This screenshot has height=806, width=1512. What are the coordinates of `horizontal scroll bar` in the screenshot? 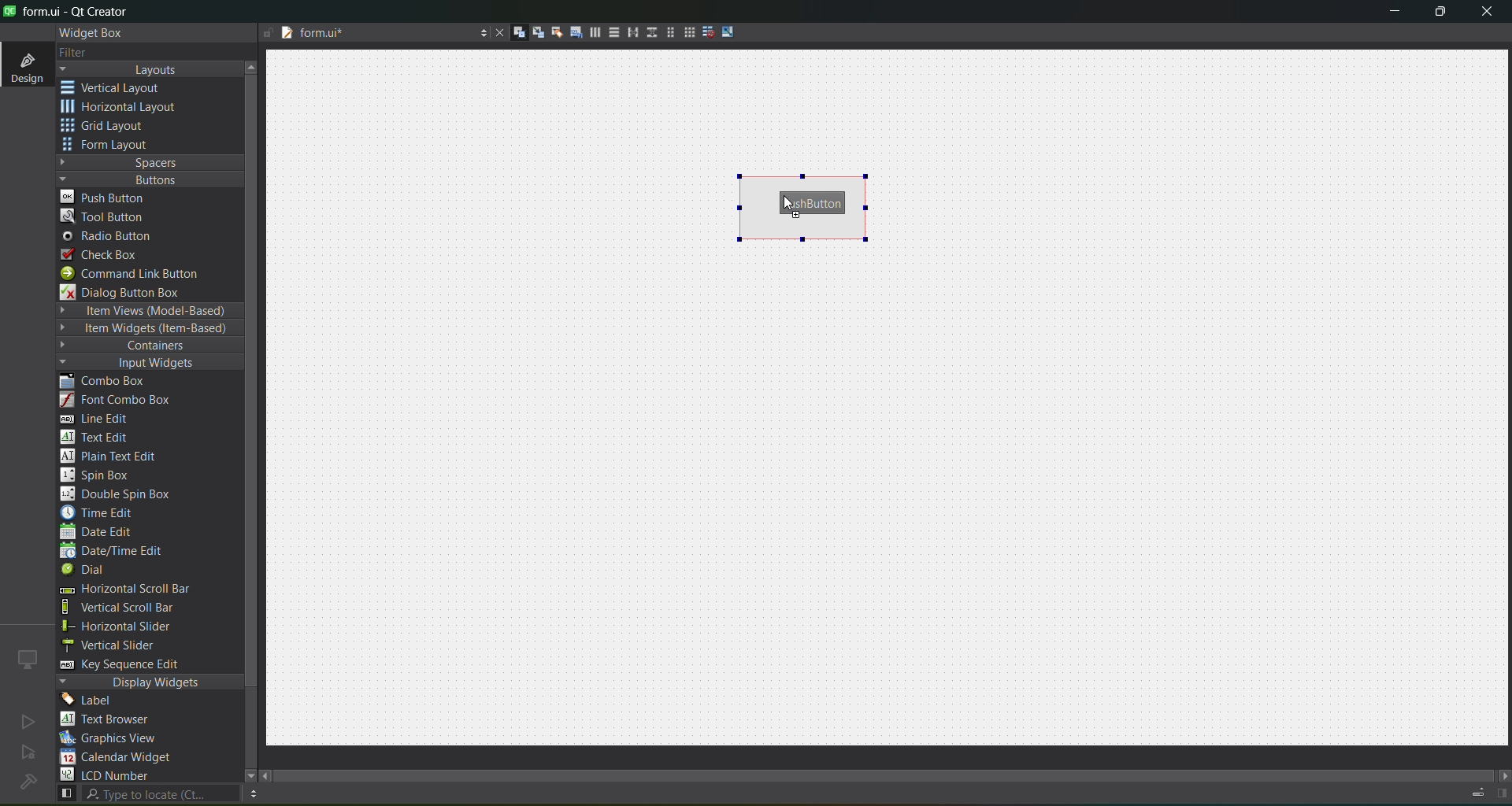 It's located at (124, 590).